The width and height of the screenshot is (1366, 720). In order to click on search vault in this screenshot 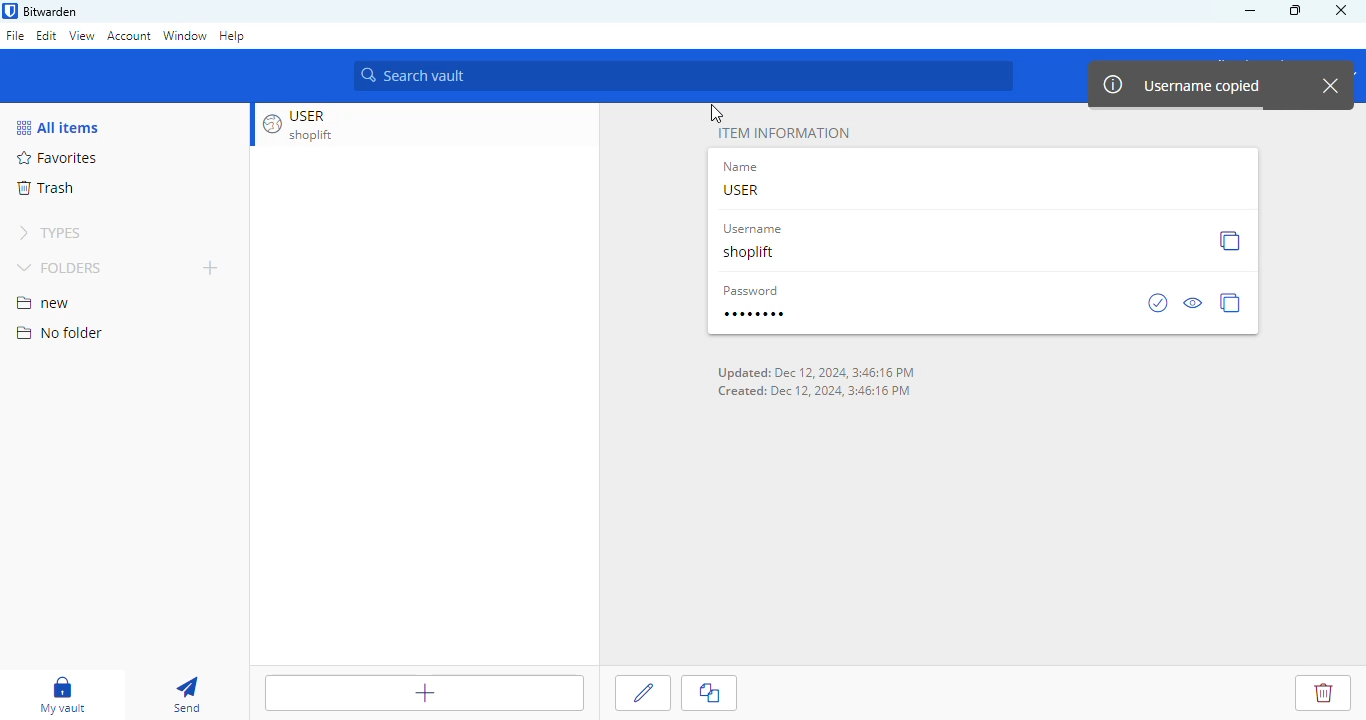, I will do `click(685, 77)`.